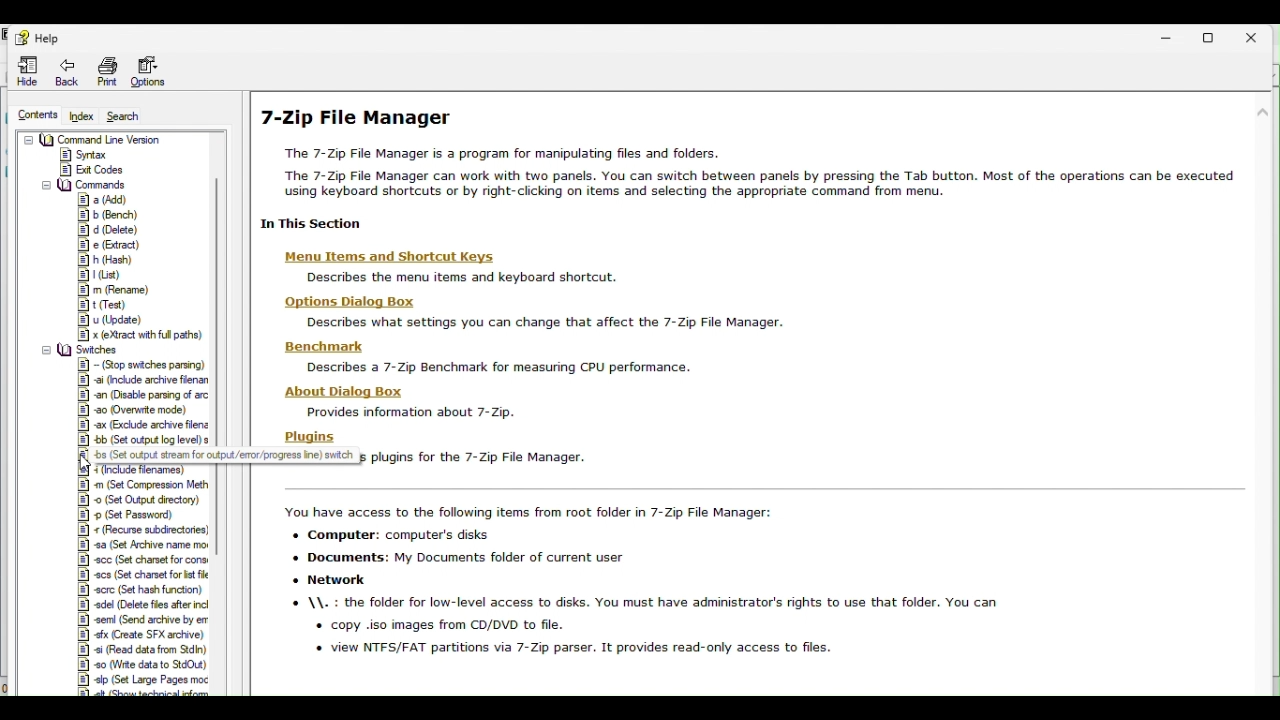 The height and width of the screenshot is (720, 1280). Describe the element at coordinates (409, 413) in the screenshot. I see `Provides information about 7-Zip.` at that location.